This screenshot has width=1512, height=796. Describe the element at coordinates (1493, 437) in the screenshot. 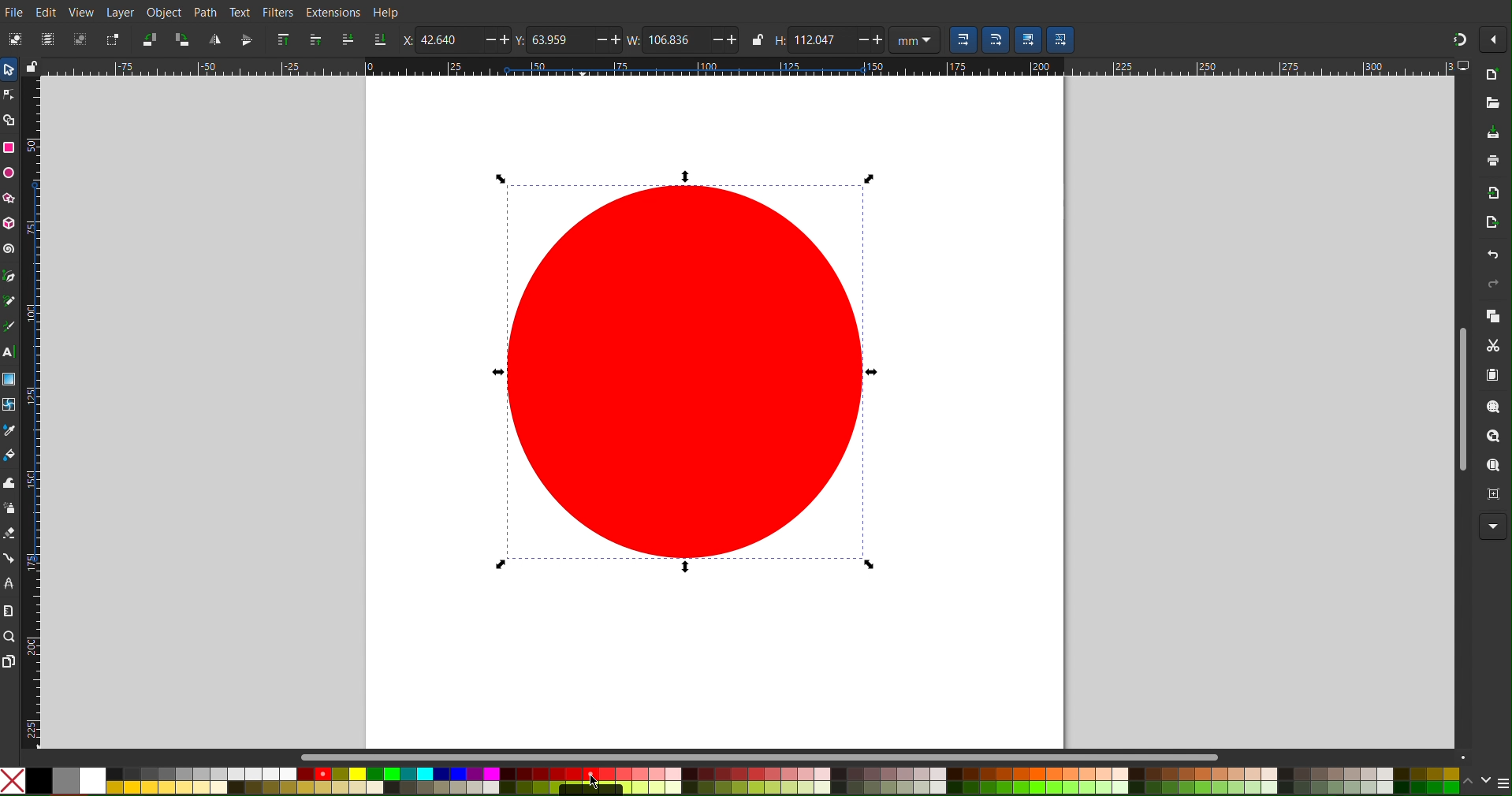

I see `Zoom Drawing` at that location.